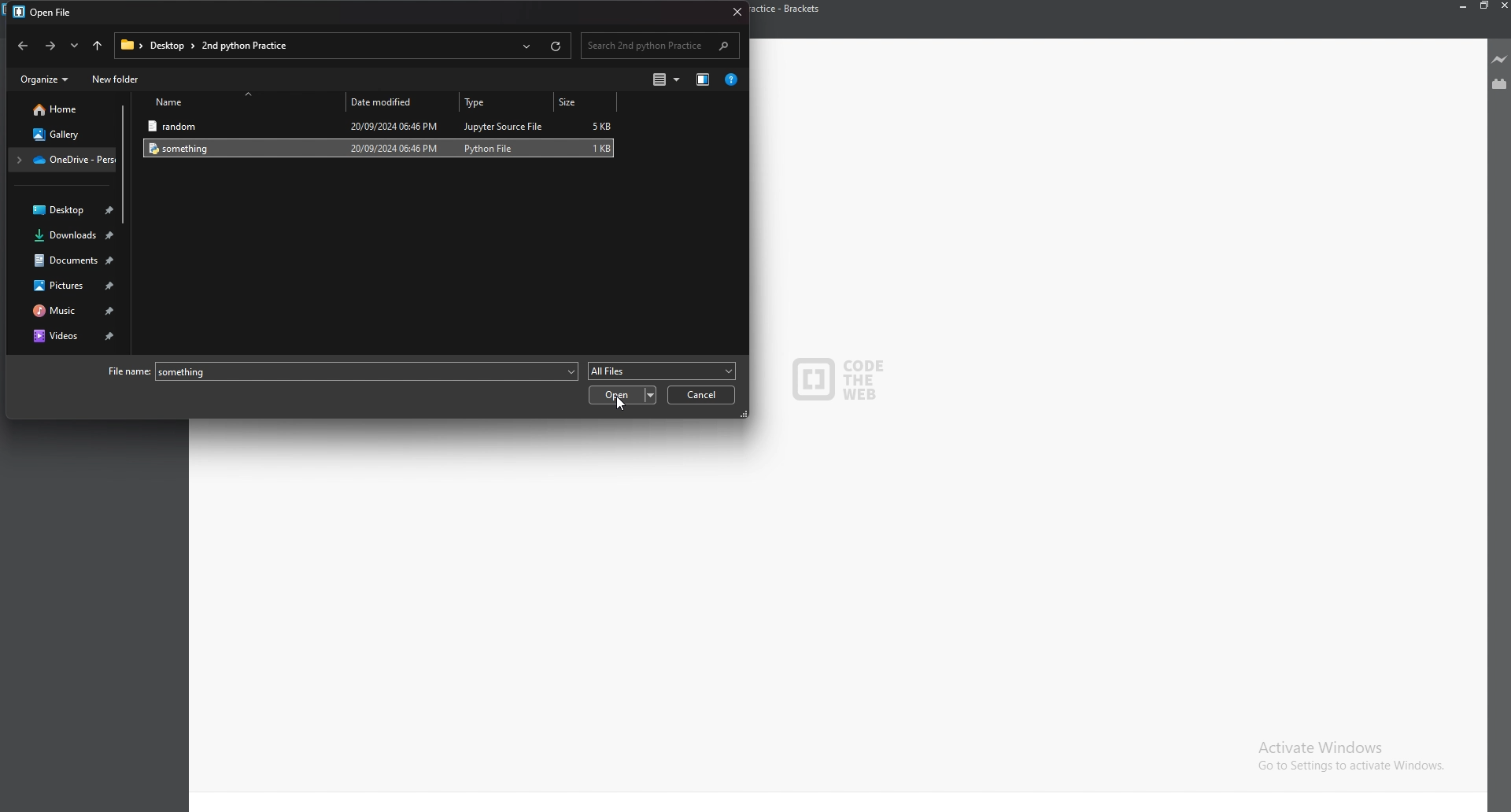  I want to click on cancel, so click(700, 395).